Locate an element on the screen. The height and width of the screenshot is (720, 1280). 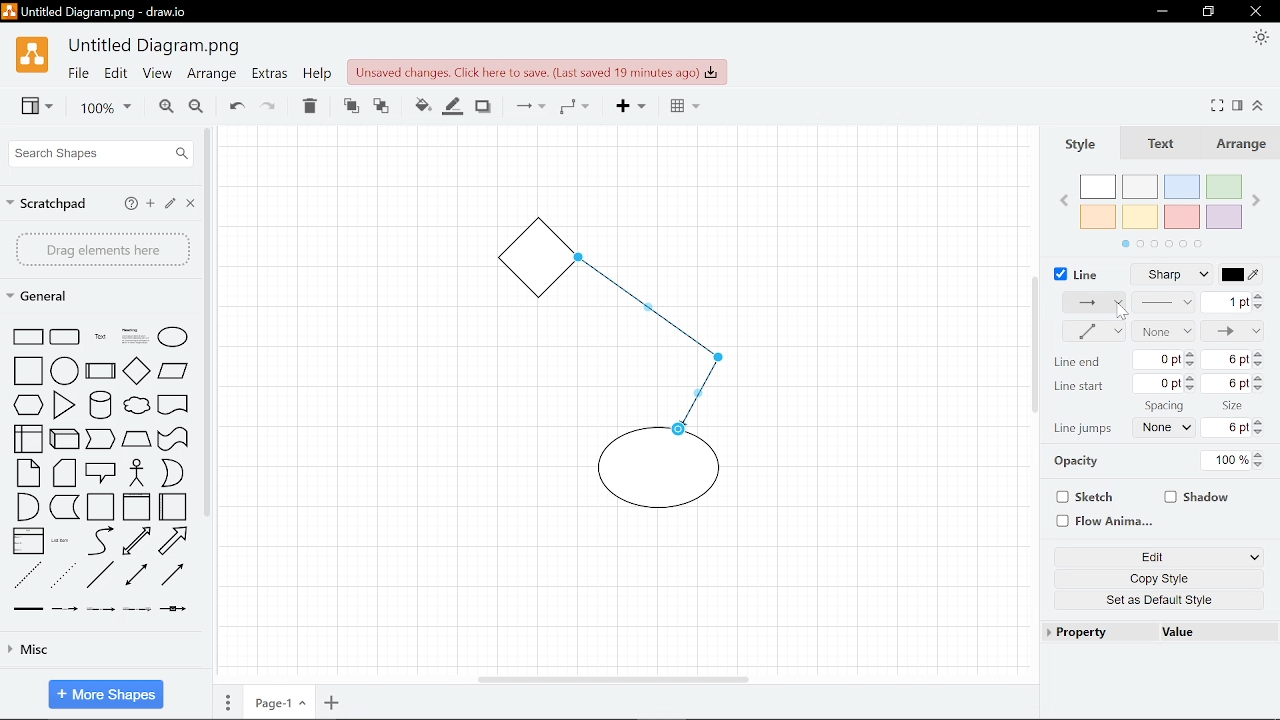
Scratchpad is located at coordinates (49, 201).